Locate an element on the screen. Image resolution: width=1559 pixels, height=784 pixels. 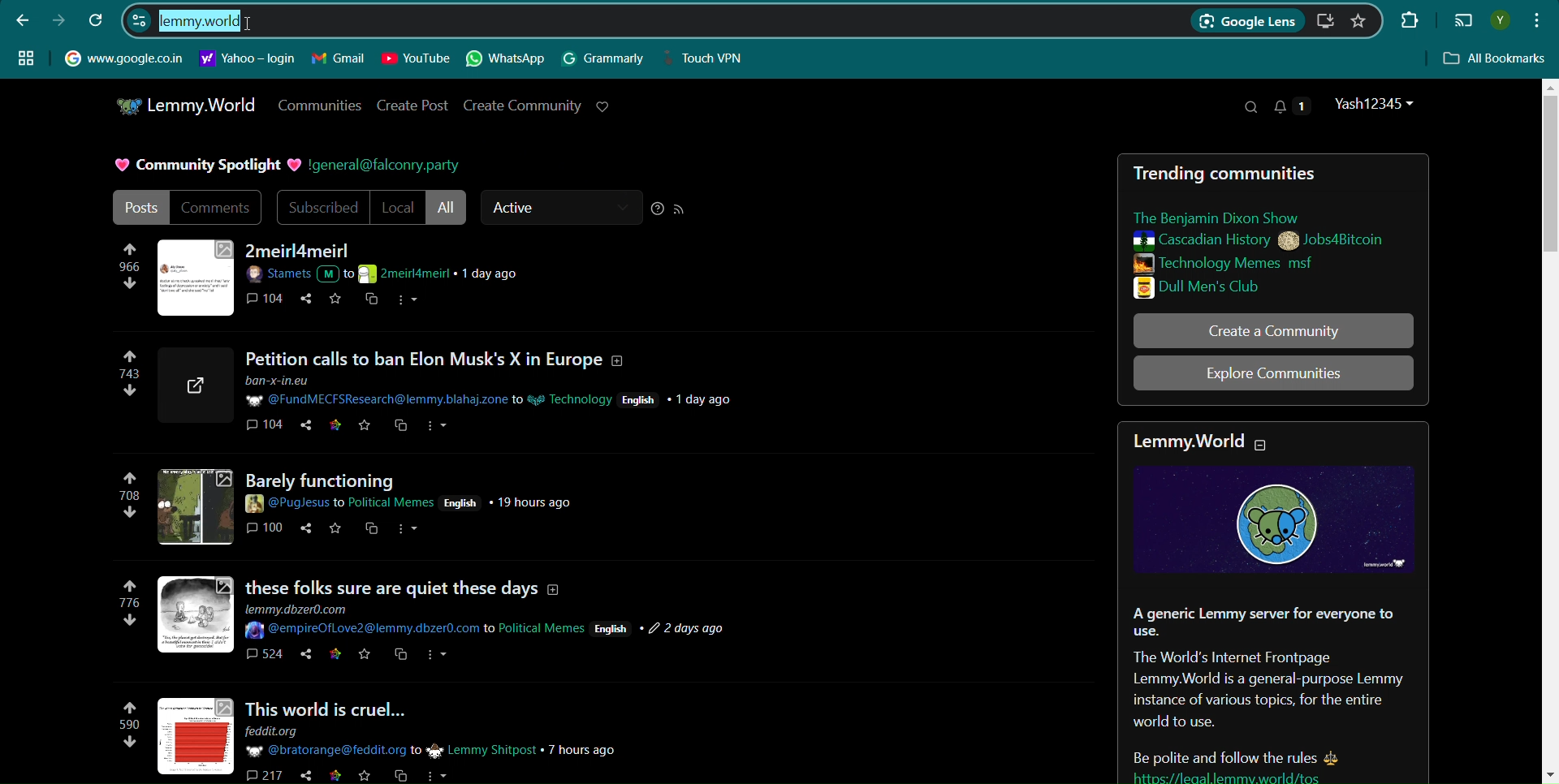
@FundMECFSResearch@lemmy.blahaj.zone to Technology English is located at coordinates (491, 392).